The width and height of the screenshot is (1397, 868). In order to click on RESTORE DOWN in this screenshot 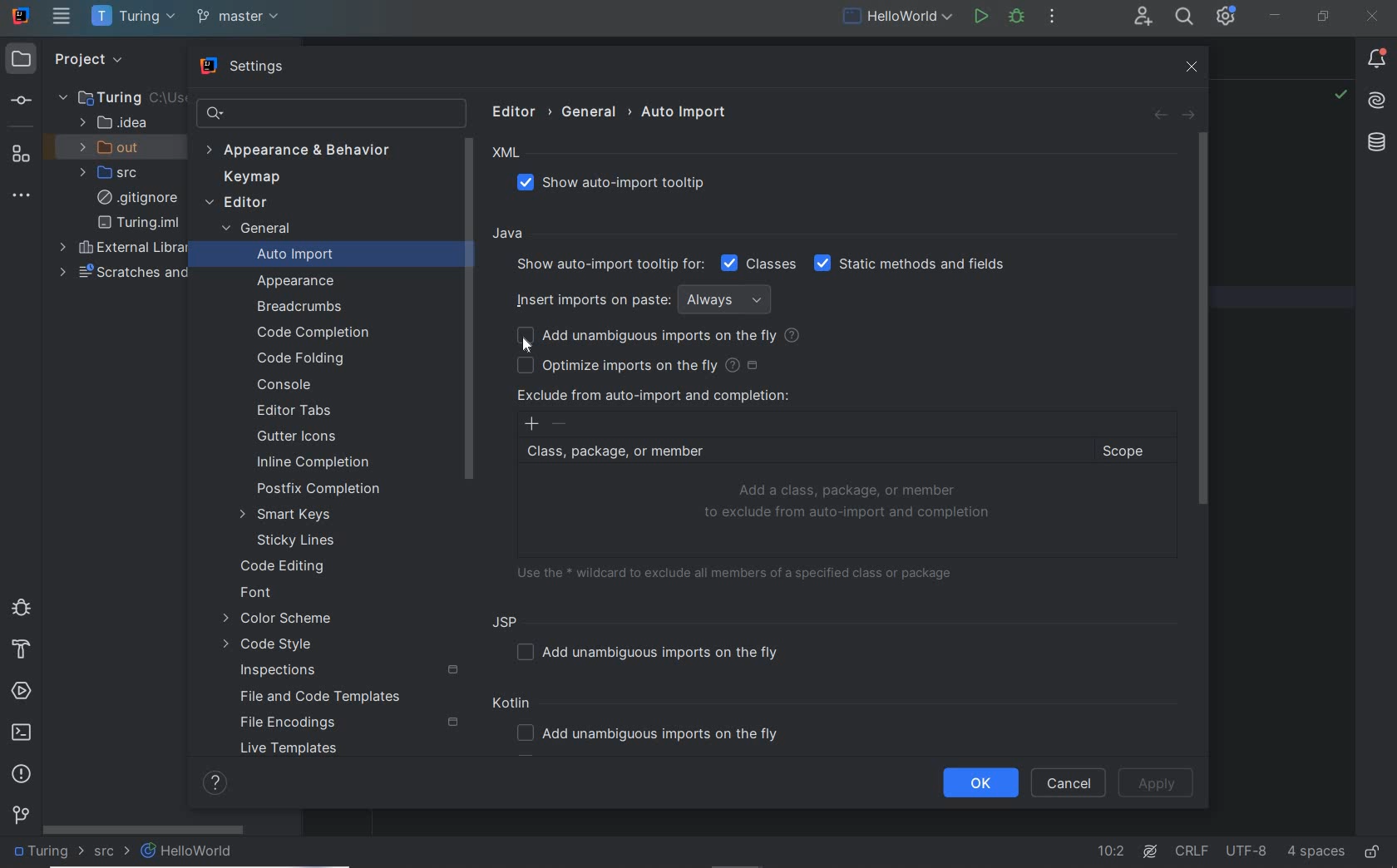, I will do `click(1324, 18)`.